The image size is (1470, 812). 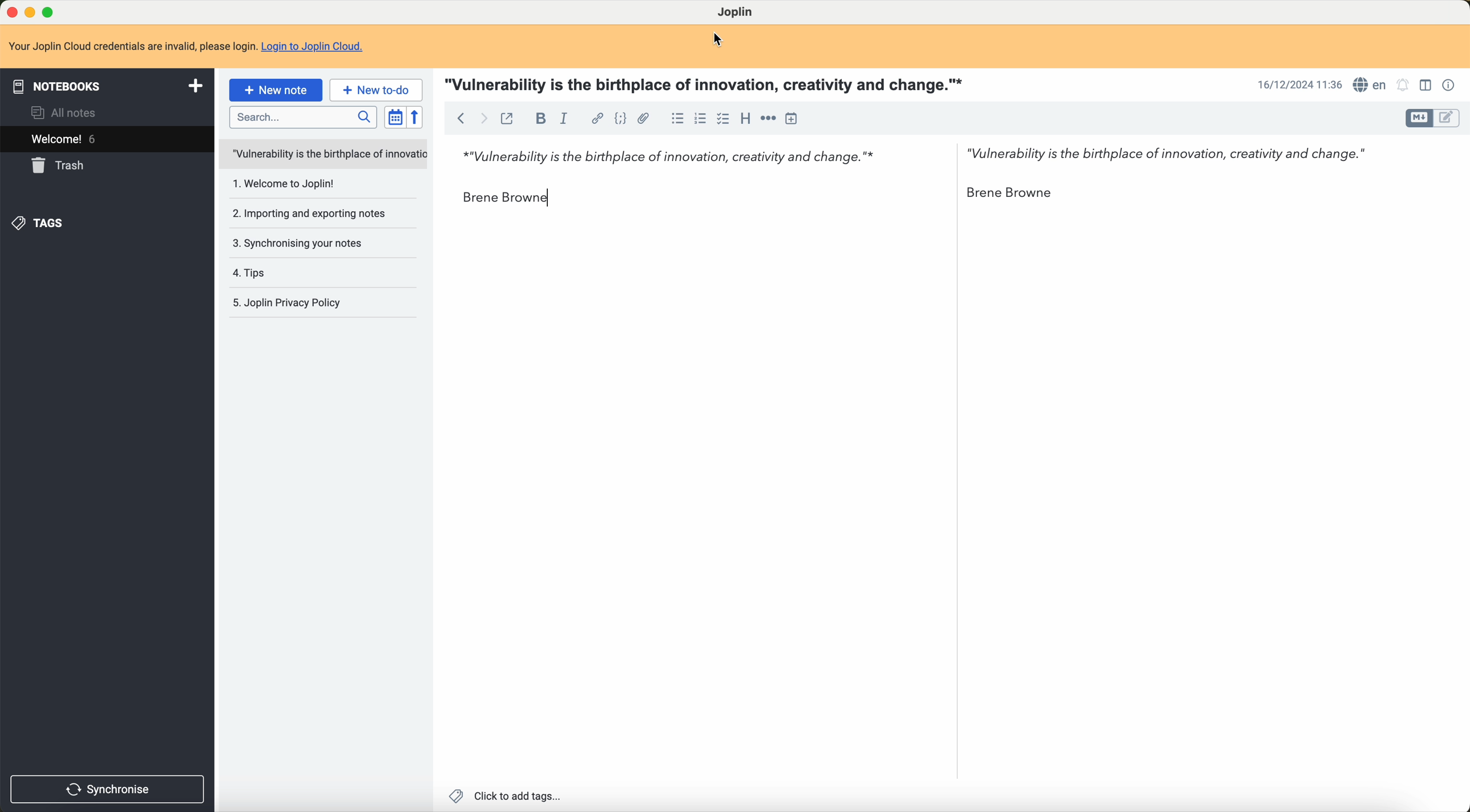 I want to click on cursor, so click(x=720, y=39).